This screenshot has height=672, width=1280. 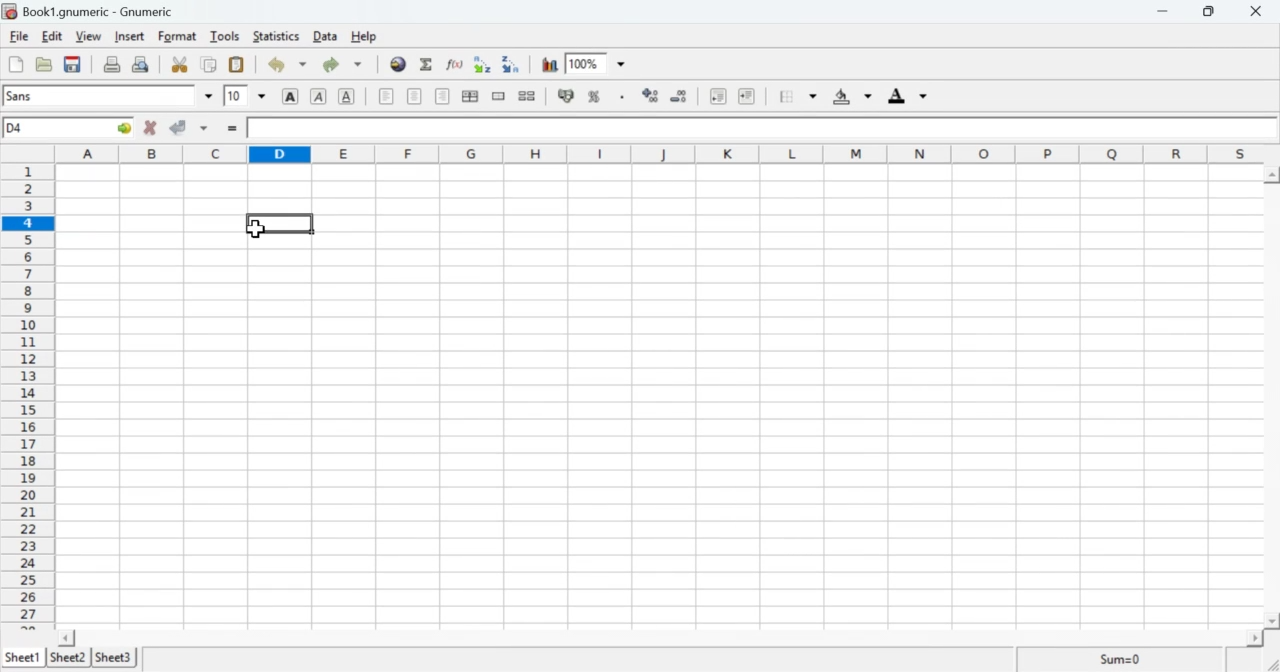 What do you see at coordinates (851, 98) in the screenshot?
I see `Background` at bounding box center [851, 98].